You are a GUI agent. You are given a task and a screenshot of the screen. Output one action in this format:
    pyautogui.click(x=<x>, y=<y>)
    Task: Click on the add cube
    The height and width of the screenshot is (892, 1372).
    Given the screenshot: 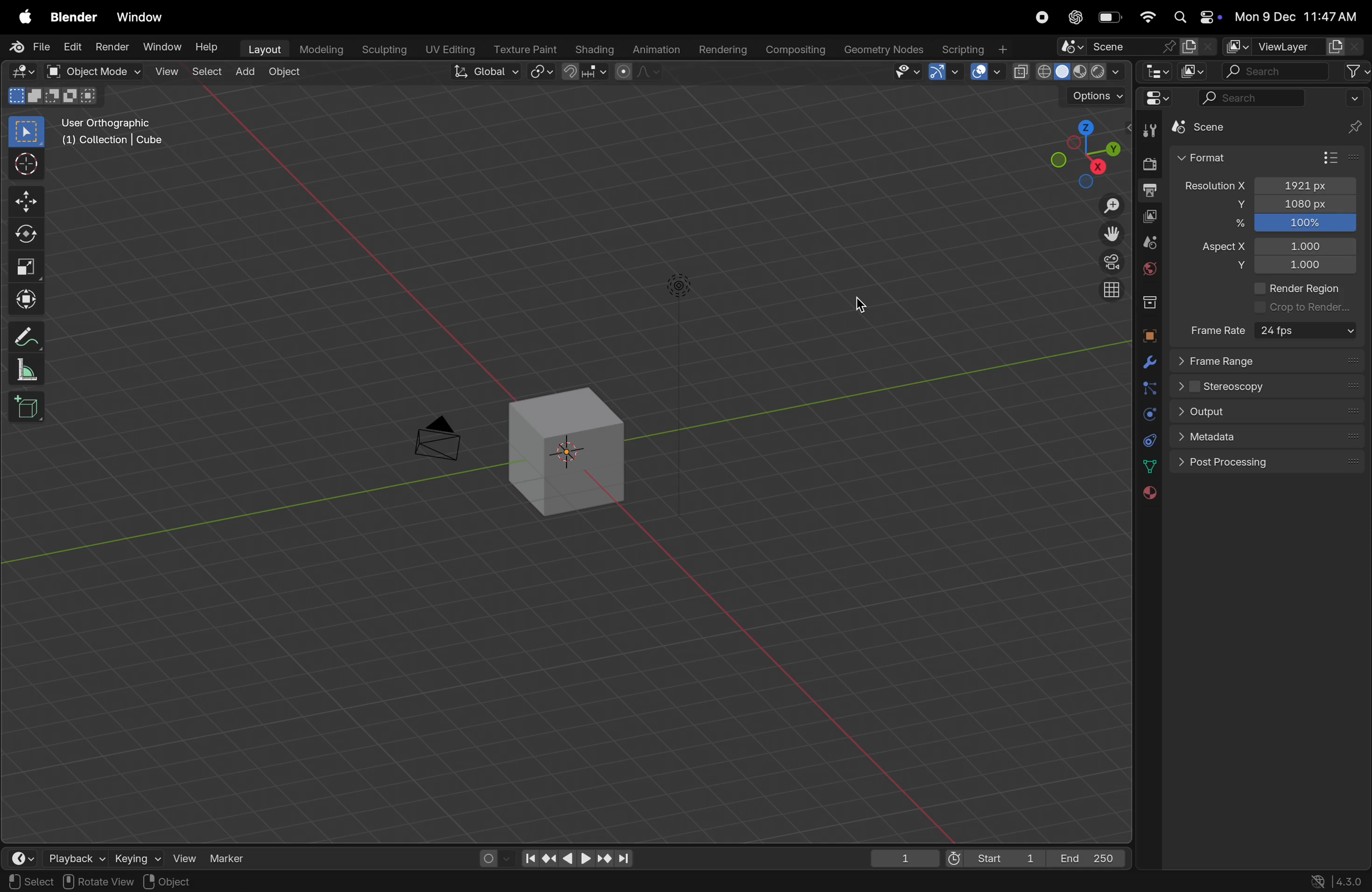 What is the action you would take?
    pyautogui.click(x=31, y=408)
    